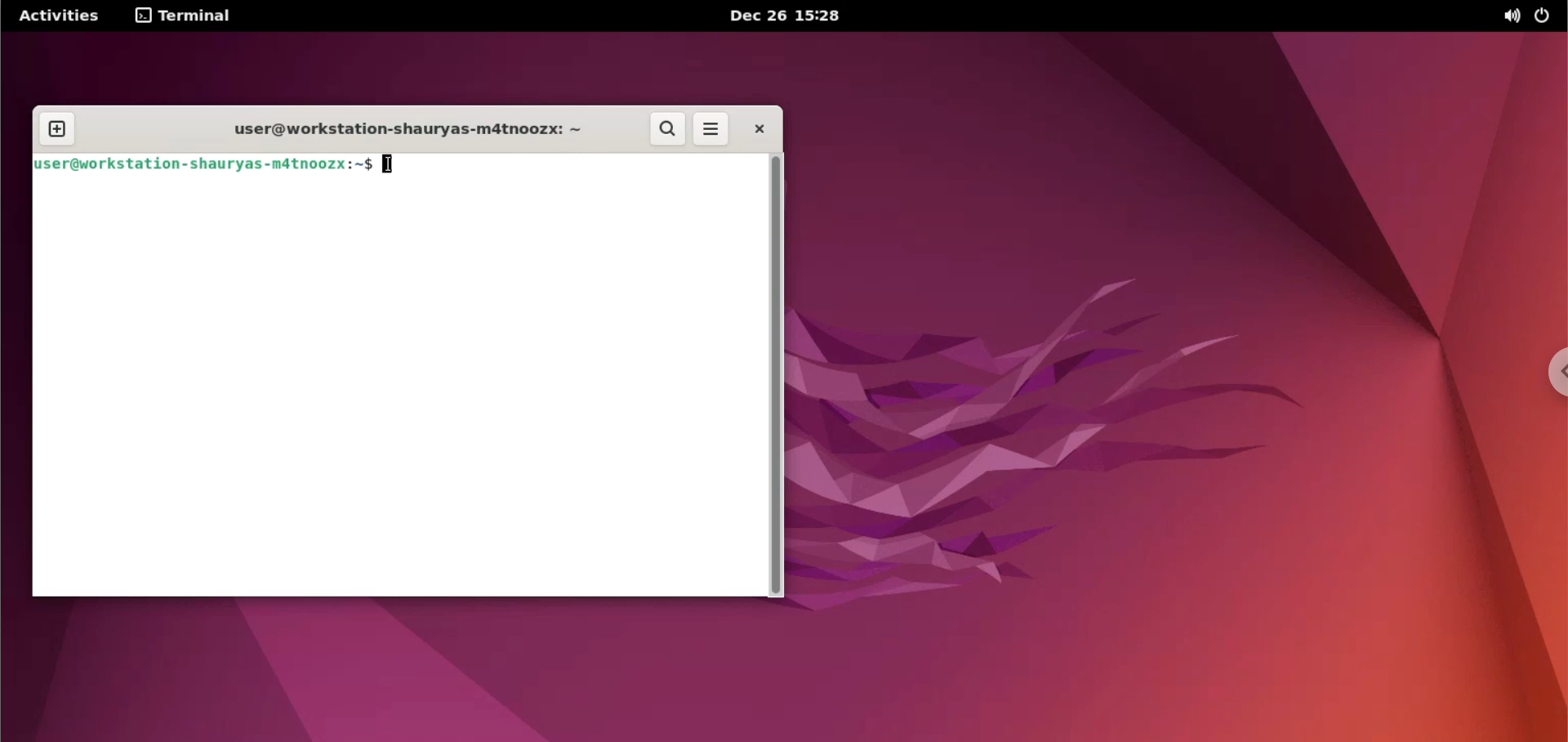 The image size is (1568, 742). What do you see at coordinates (395, 388) in the screenshot?
I see `Command line input` at bounding box center [395, 388].